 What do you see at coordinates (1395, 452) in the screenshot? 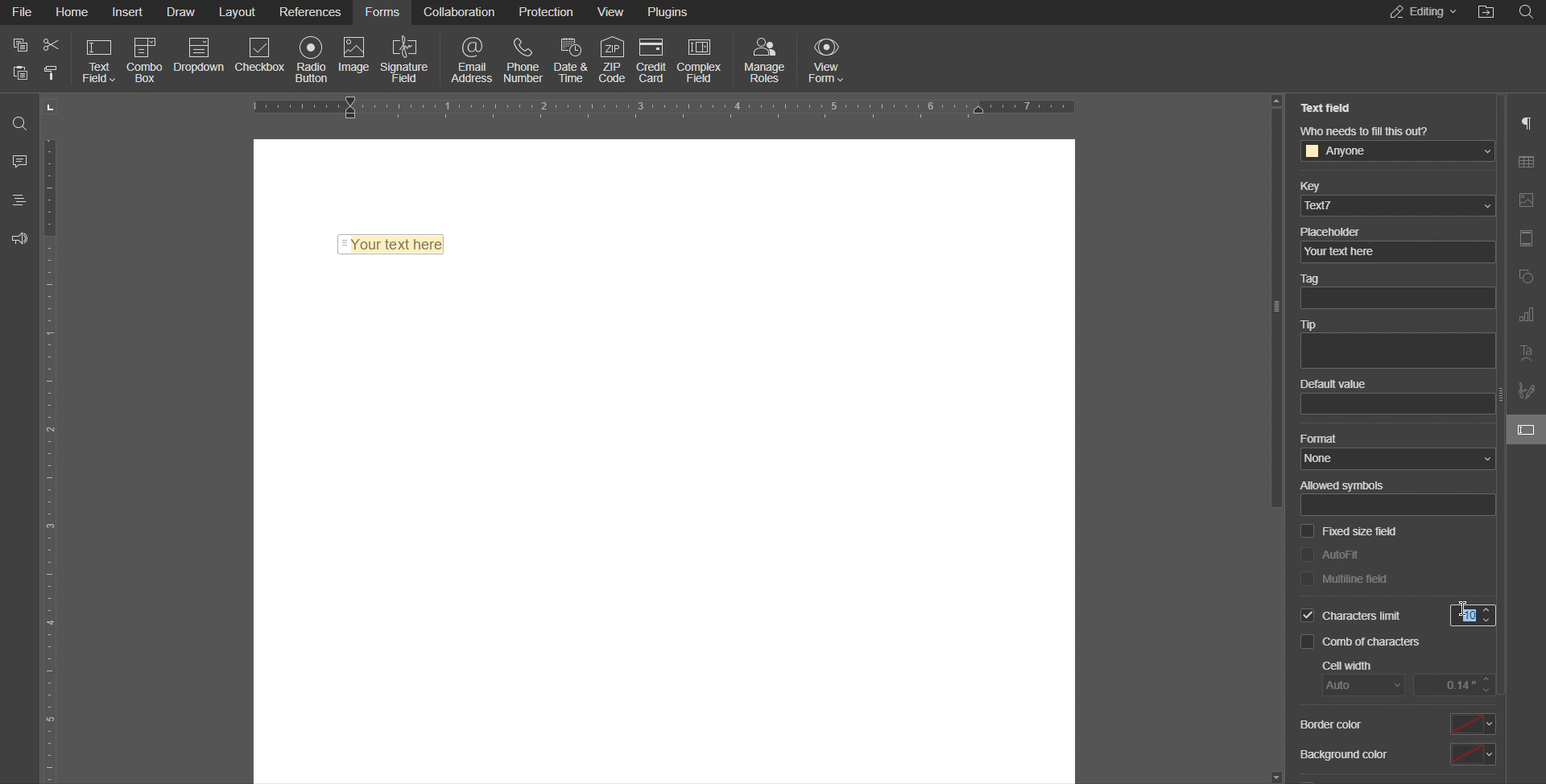
I see `Format ` at bounding box center [1395, 452].